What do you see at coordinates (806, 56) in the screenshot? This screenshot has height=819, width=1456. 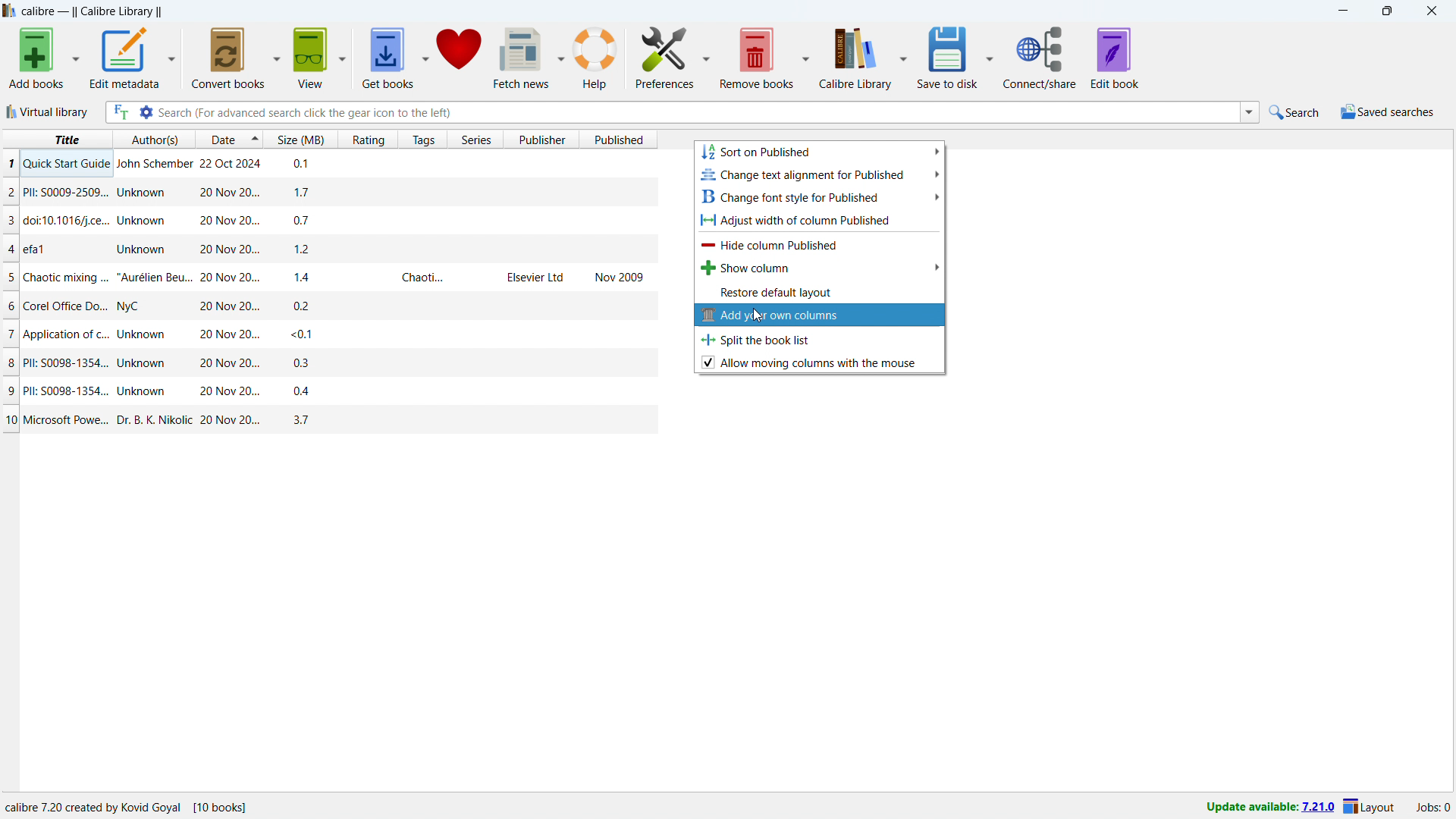 I see `remove books options` at bounding box center [806, 56].